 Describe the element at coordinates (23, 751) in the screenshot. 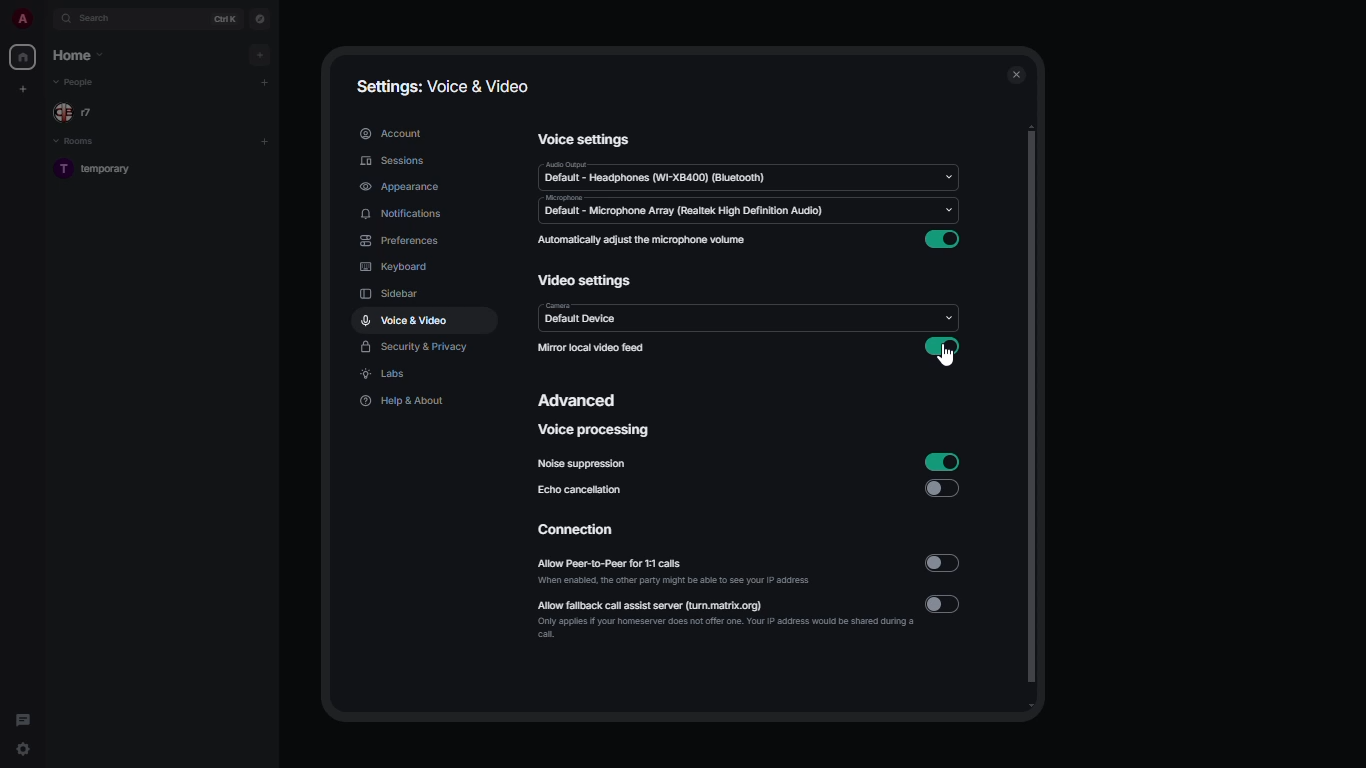

I see `quick settings` at that location.